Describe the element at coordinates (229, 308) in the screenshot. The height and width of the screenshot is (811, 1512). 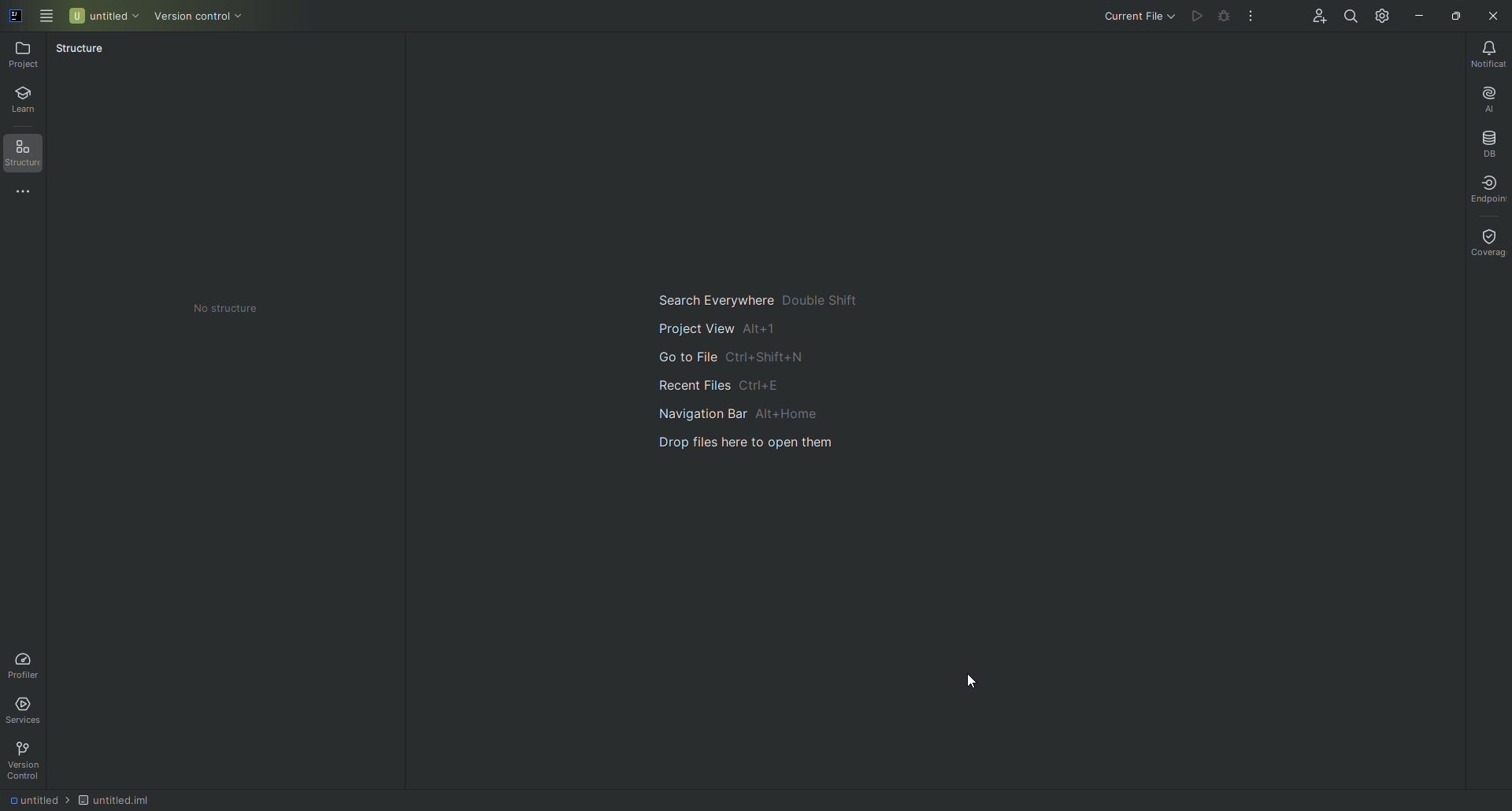
I see `No Structure` at that location.